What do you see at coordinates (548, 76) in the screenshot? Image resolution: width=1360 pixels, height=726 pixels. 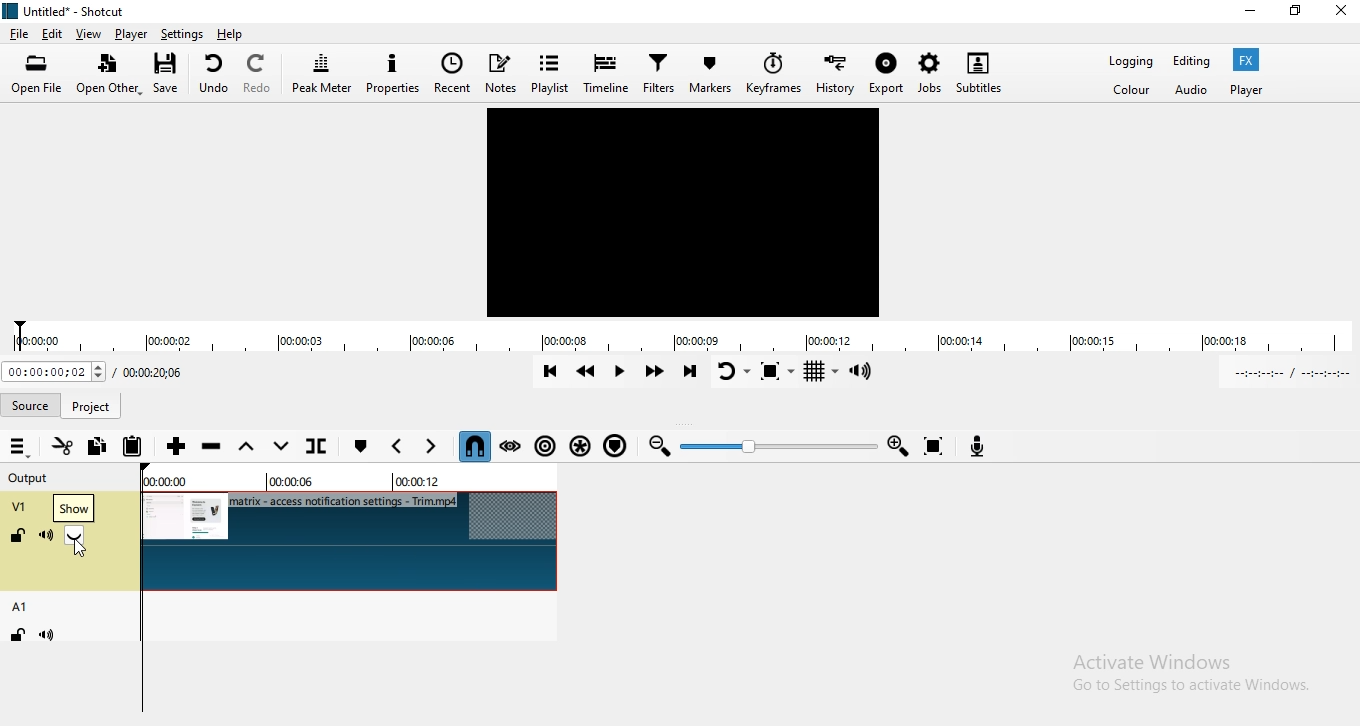 I see `Playlist` at bounding box center [548, 76].